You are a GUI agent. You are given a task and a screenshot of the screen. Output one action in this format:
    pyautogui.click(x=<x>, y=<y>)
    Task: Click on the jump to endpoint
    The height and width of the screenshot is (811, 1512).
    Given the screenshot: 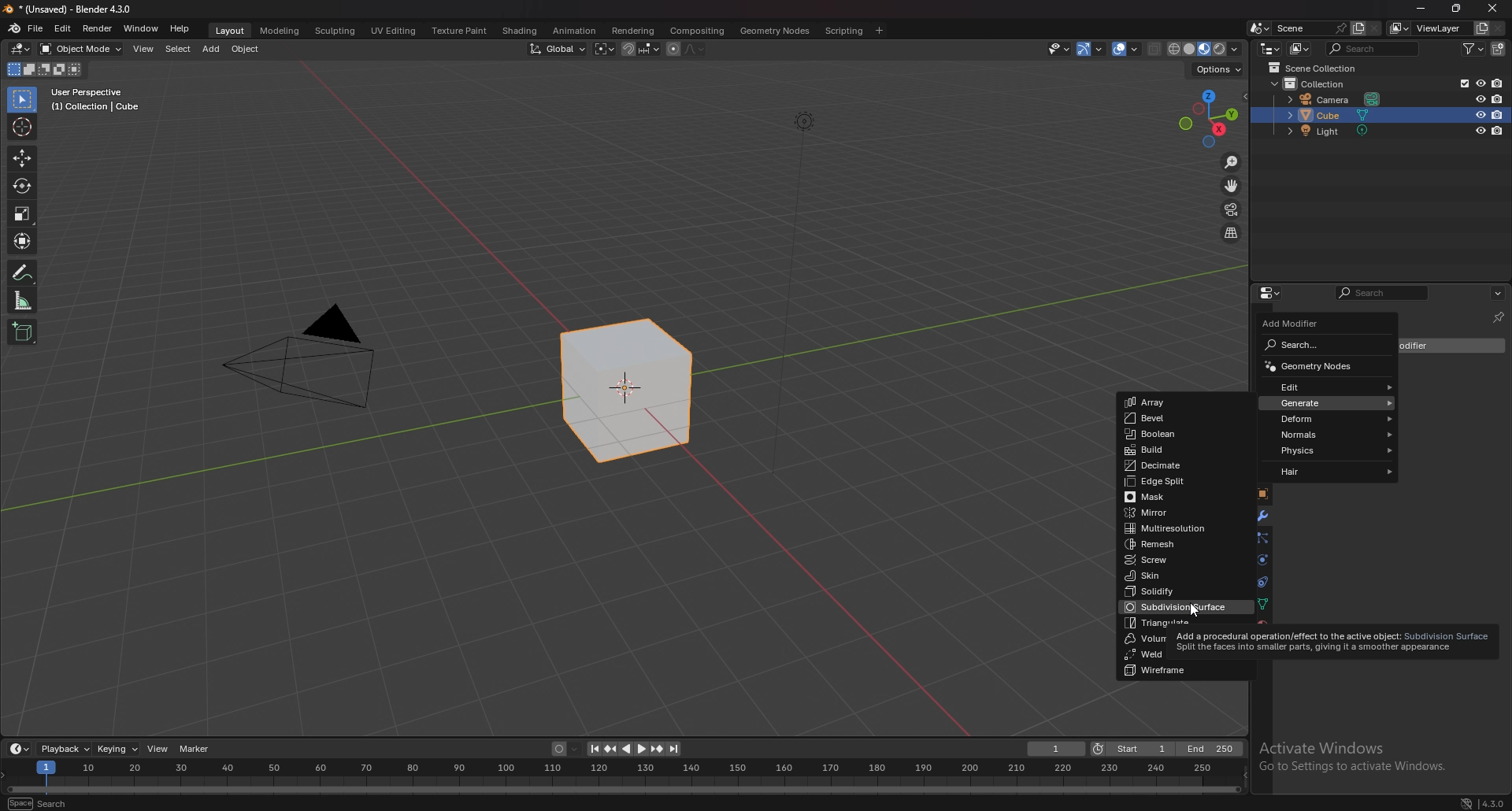 What is the action you would take?
    pyautogui.click(x=676, y=749)
    